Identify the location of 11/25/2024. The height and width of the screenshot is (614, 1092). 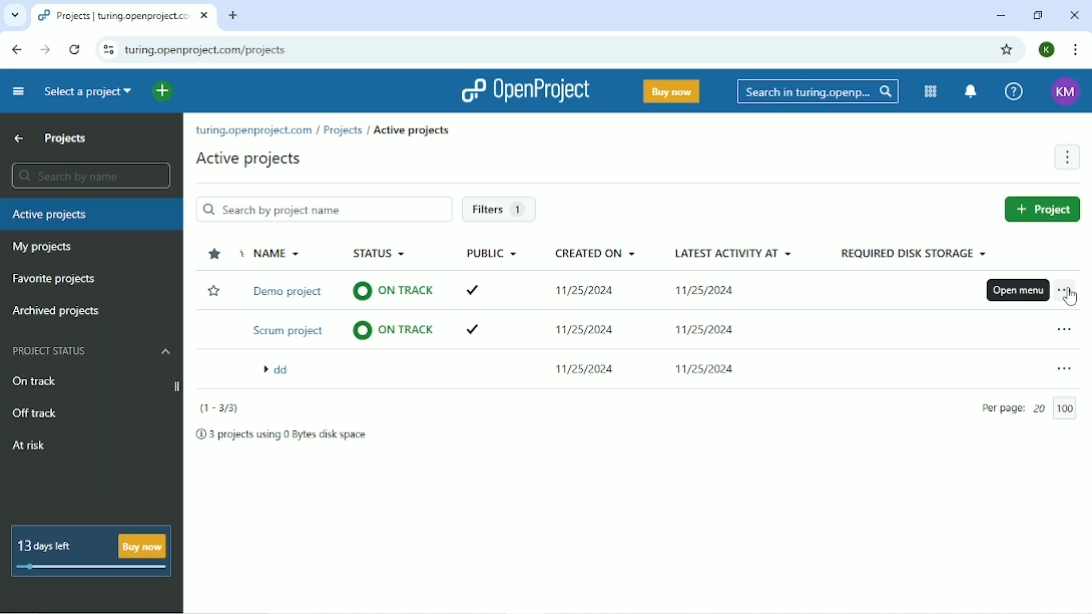
(584, 331).